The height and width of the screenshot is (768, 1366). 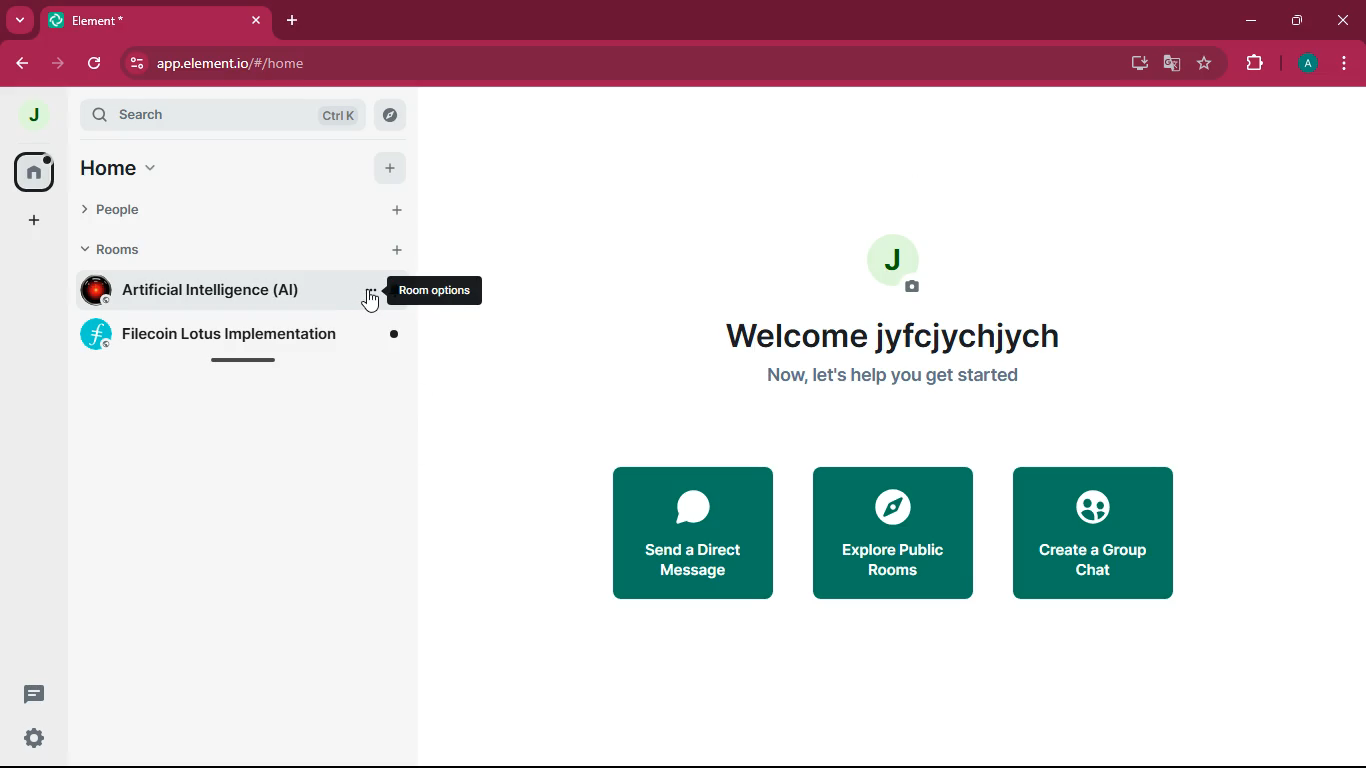 What do you see at coordinates (1343, 66) in the screenshot?
I see `menu` at bounding box center [1343, 66].